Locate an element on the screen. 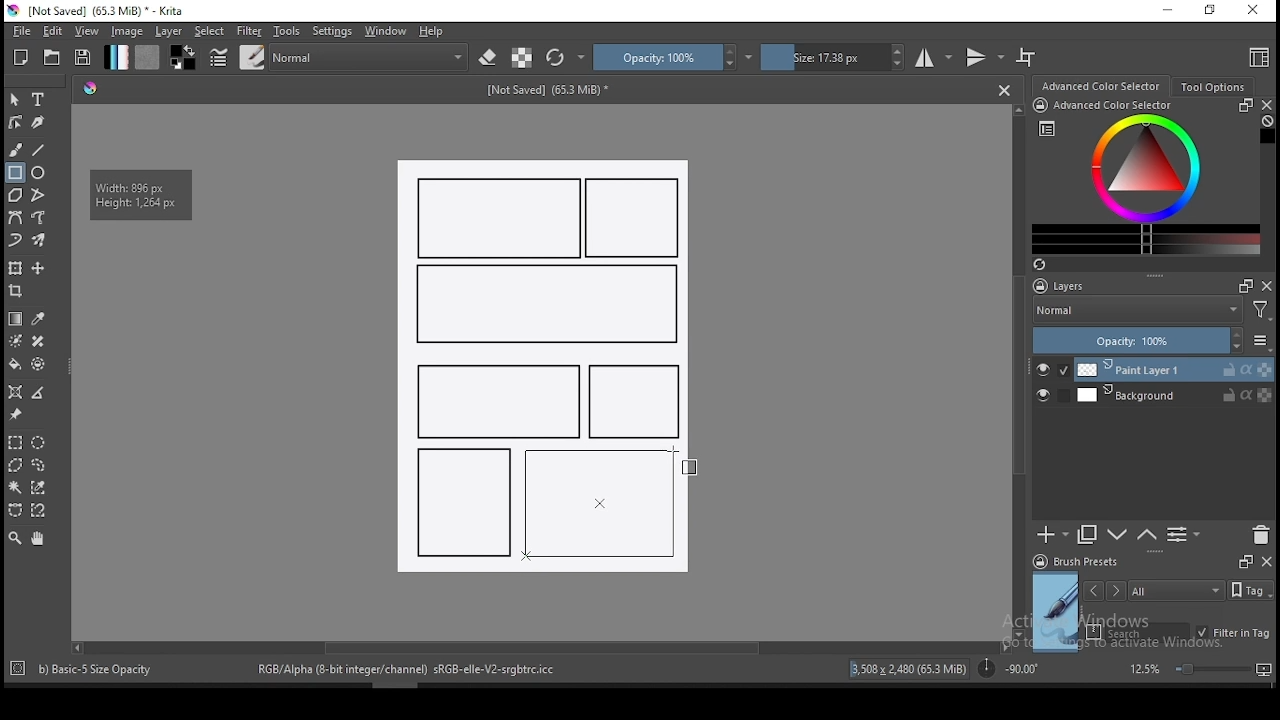 This screenshot has height=720, width=1280.  is located at coordinates (985, 55).